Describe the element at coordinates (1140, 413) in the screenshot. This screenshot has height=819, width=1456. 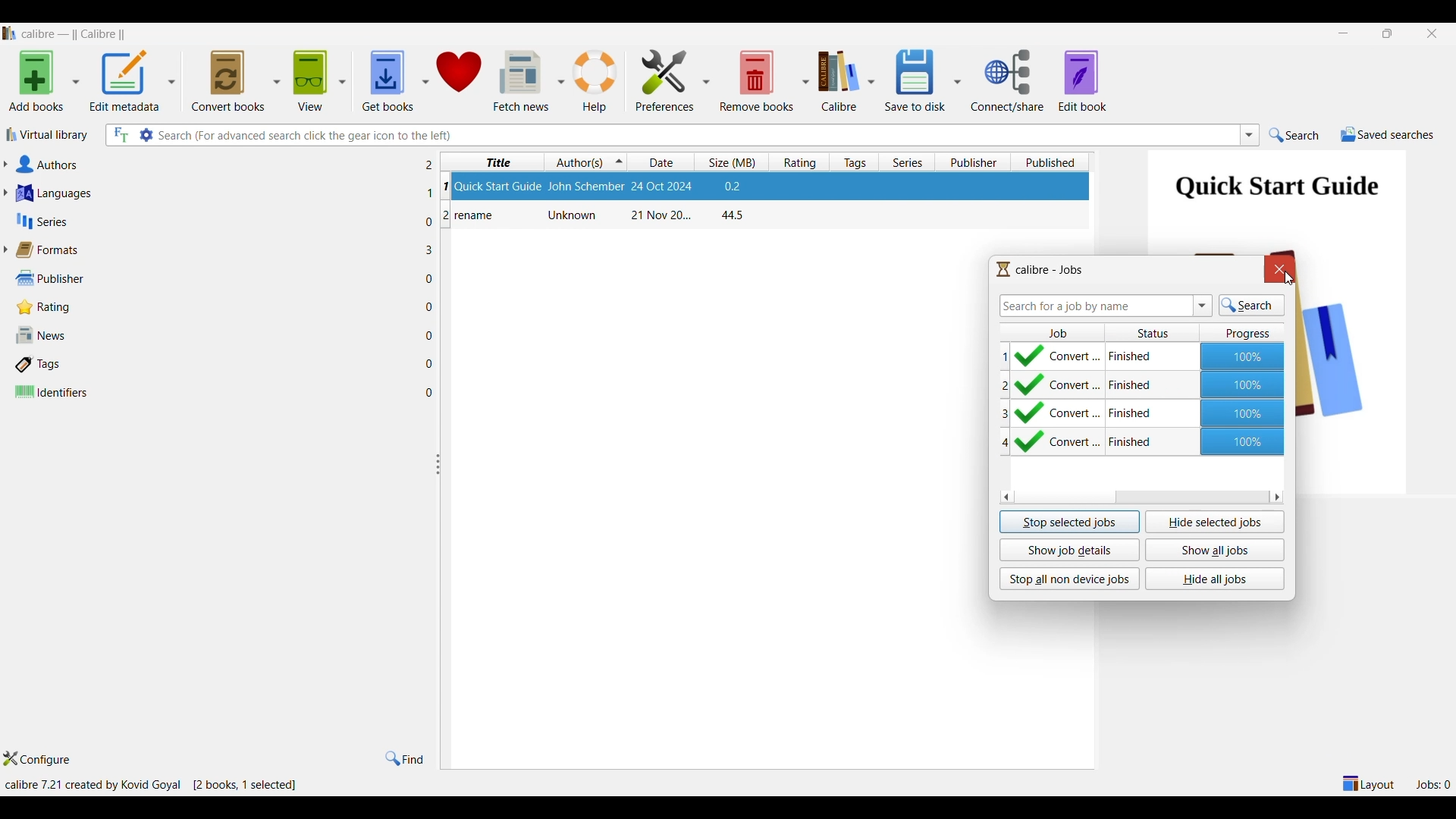
I see `Earlier conversion` at that location.